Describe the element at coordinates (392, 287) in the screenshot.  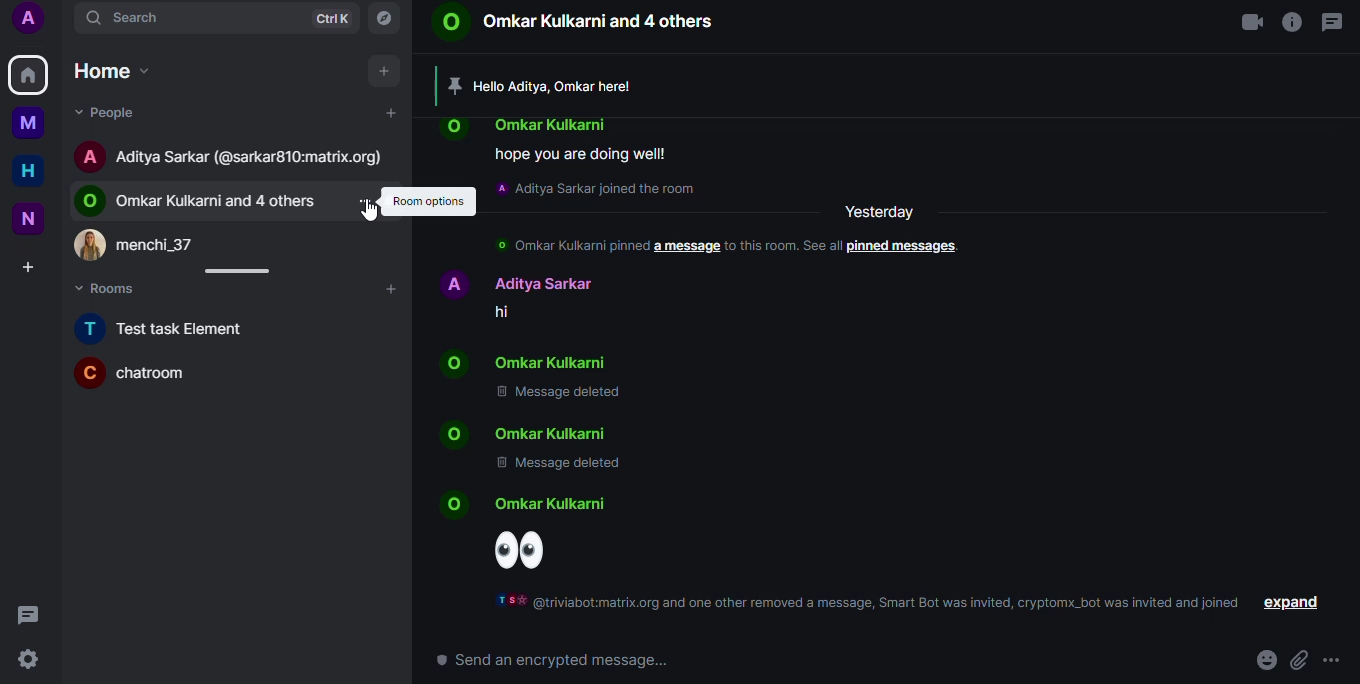
I see `add` at that location.